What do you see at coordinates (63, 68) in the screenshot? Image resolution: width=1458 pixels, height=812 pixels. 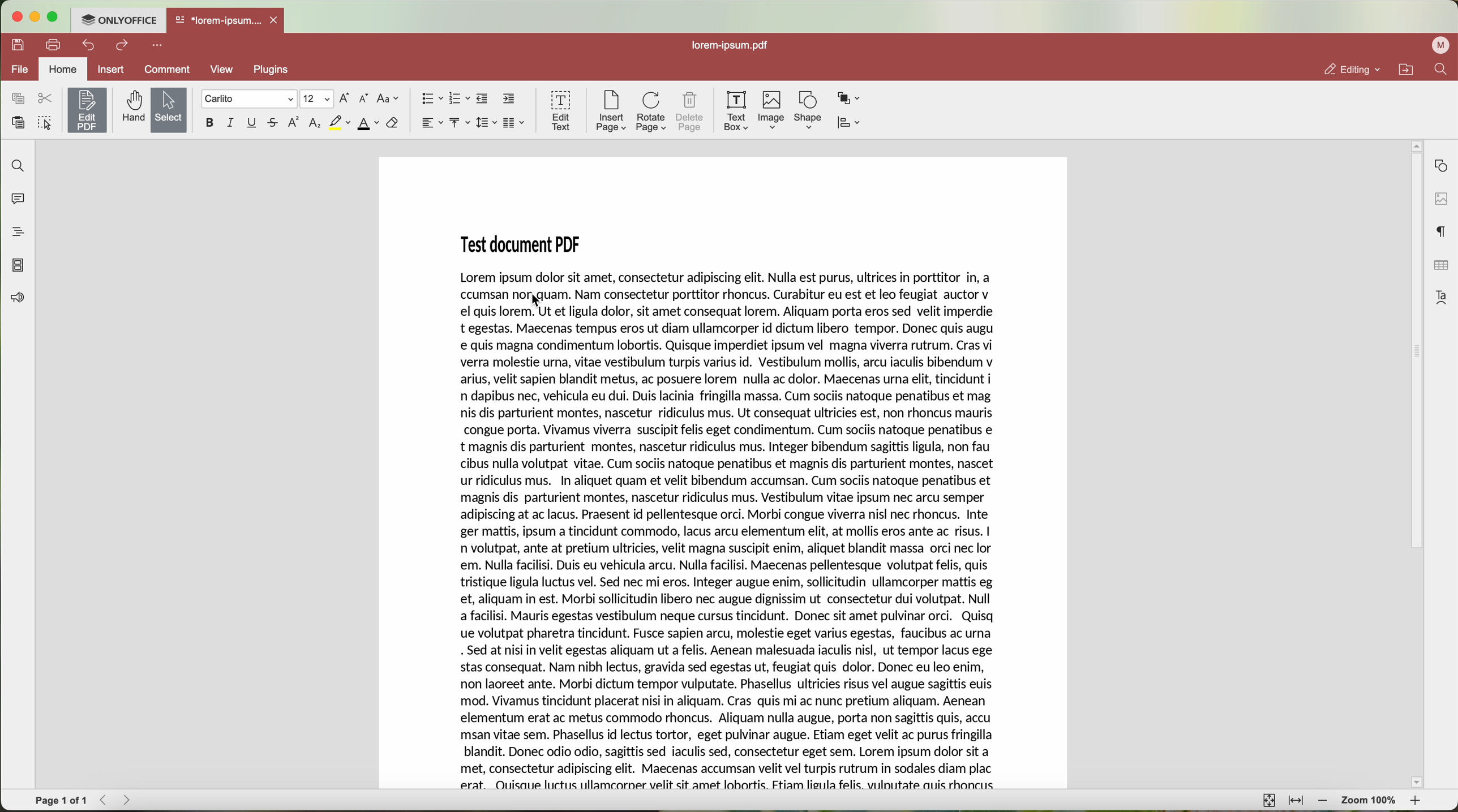 I see `home` at bounding box center [63, 68].